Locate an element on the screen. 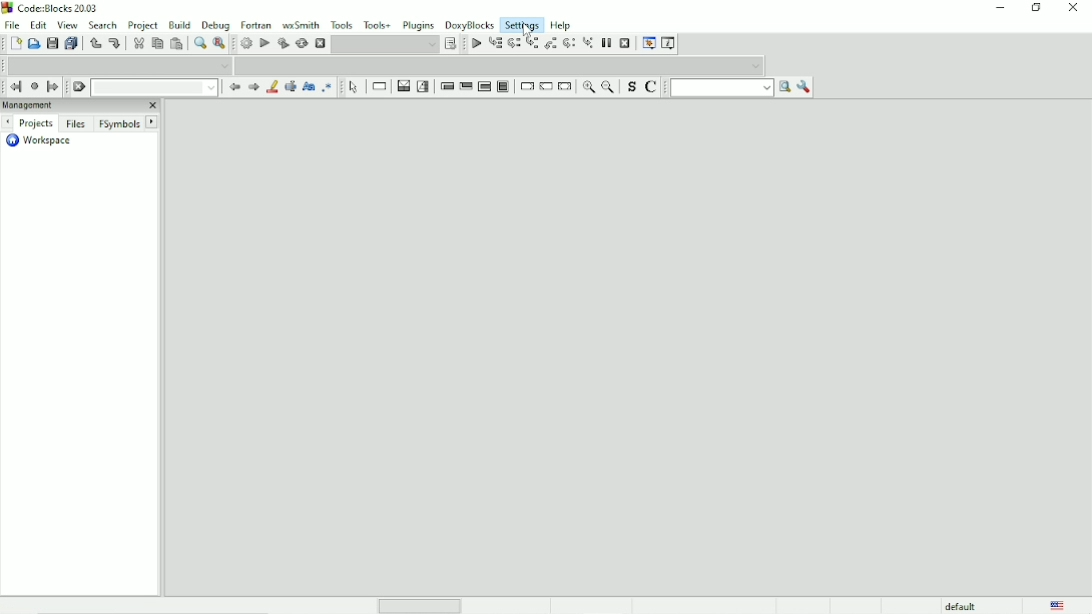 Image resolution: width=1092 pixels, height=614 pixels. Show the select target dialog  is located at coordinates (455, 44).